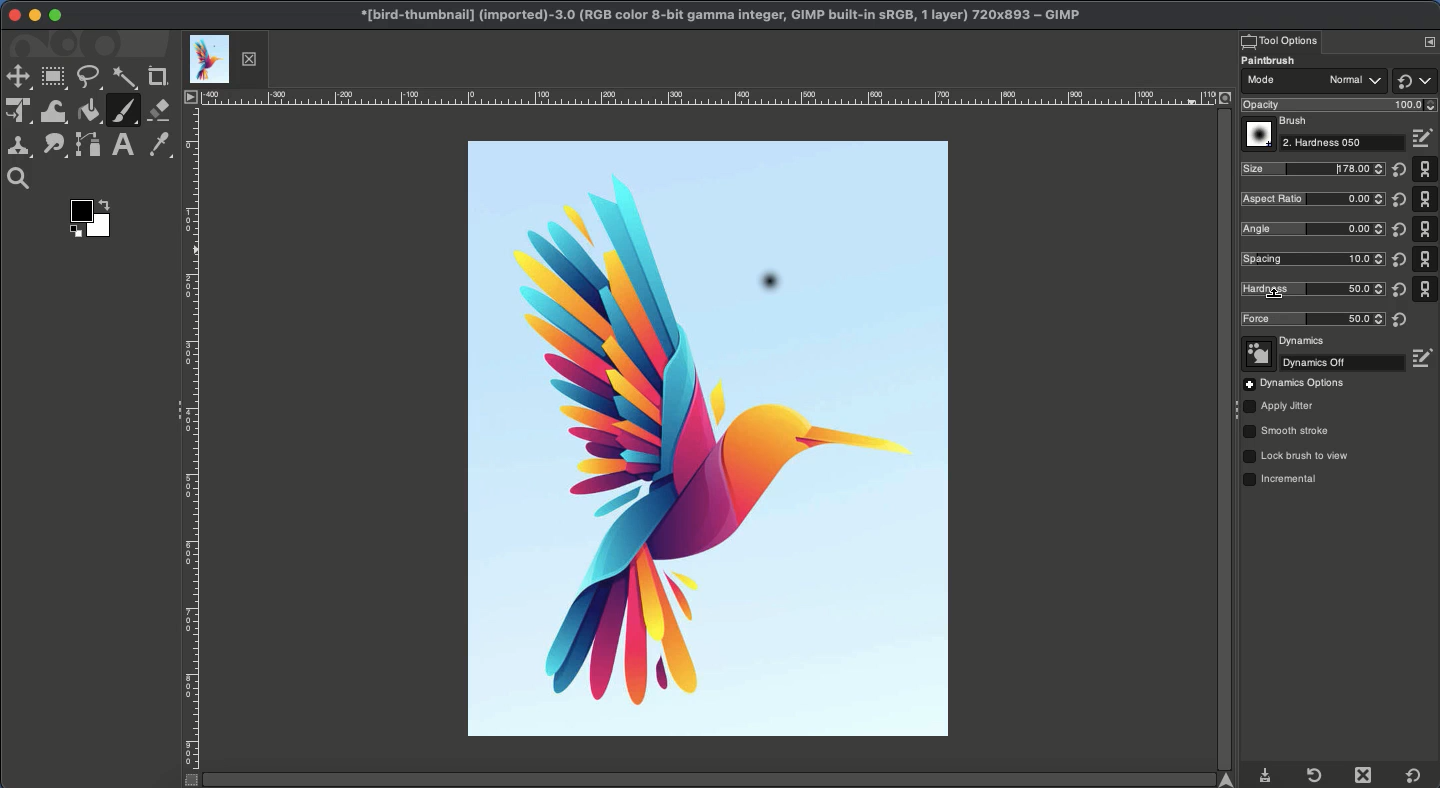  What do you see at coordinates (1426, 228) in the screenshot?
I see `Default` at bounding box center [1426, 228].